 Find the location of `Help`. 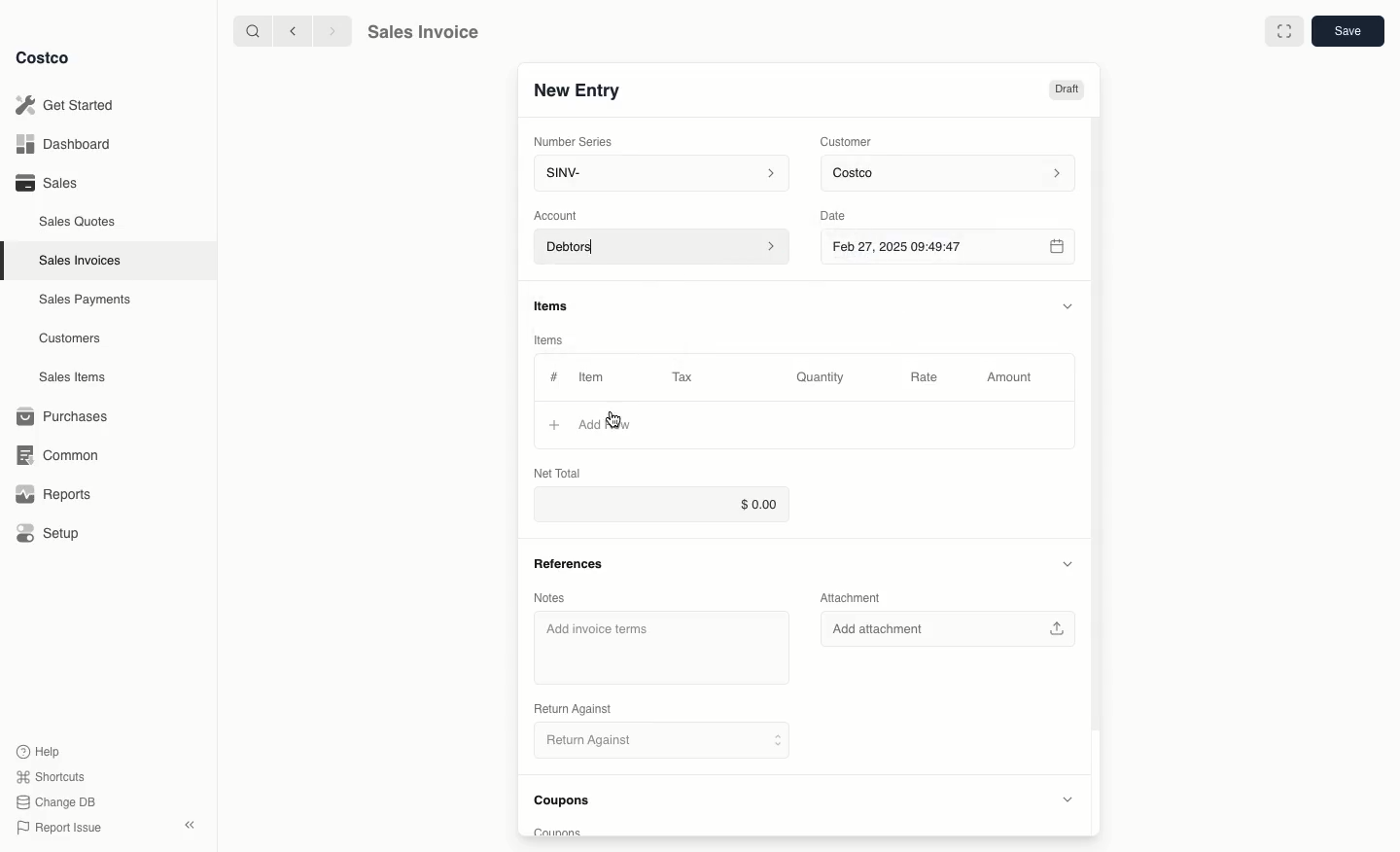

Help is located at coordinates (40, 750).